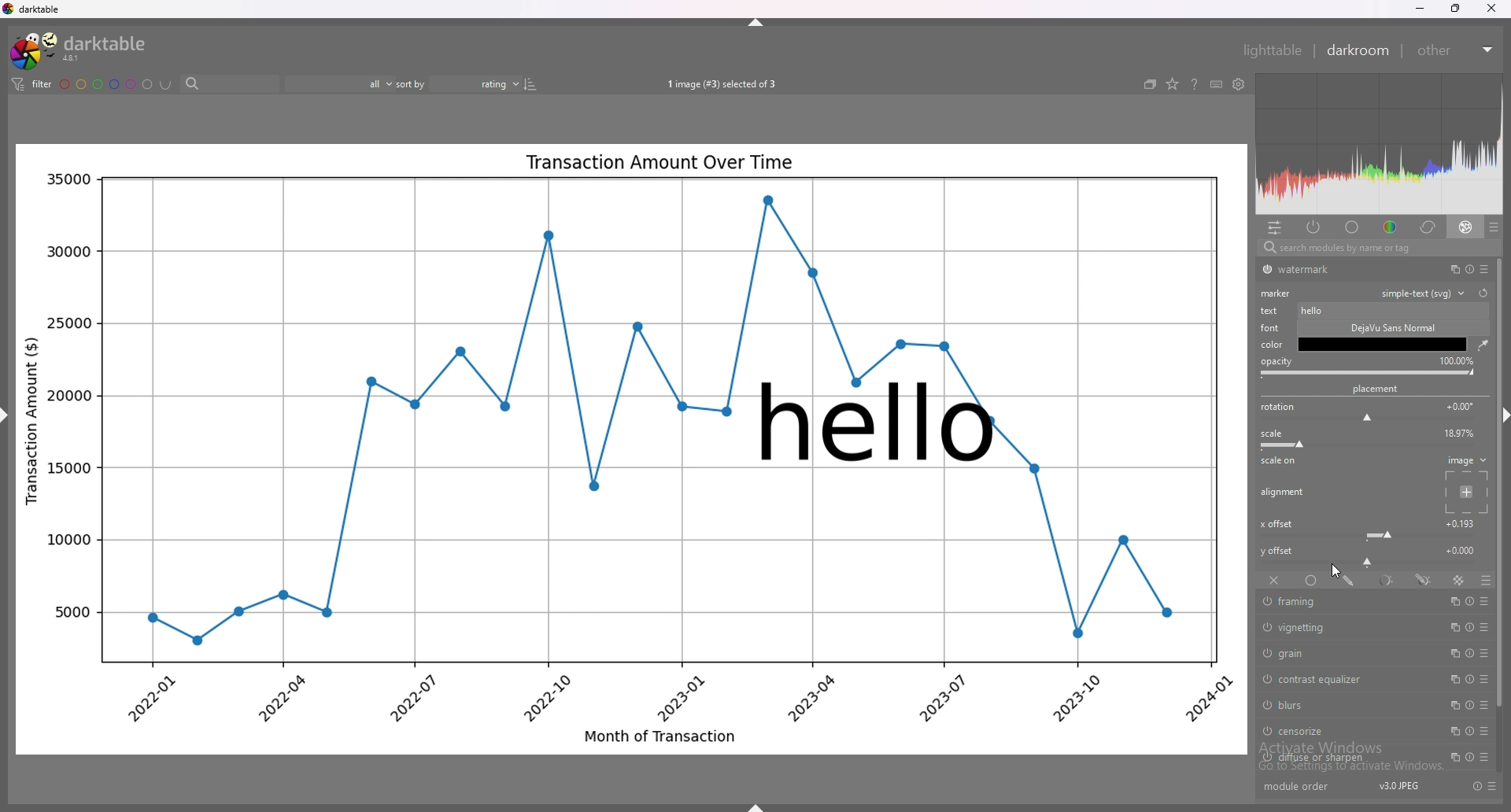 The height and width of the screenshot is (812, 1511). Describe the element at coordinates (1279, 551) in the screenshot. I see `y offset` at that location.